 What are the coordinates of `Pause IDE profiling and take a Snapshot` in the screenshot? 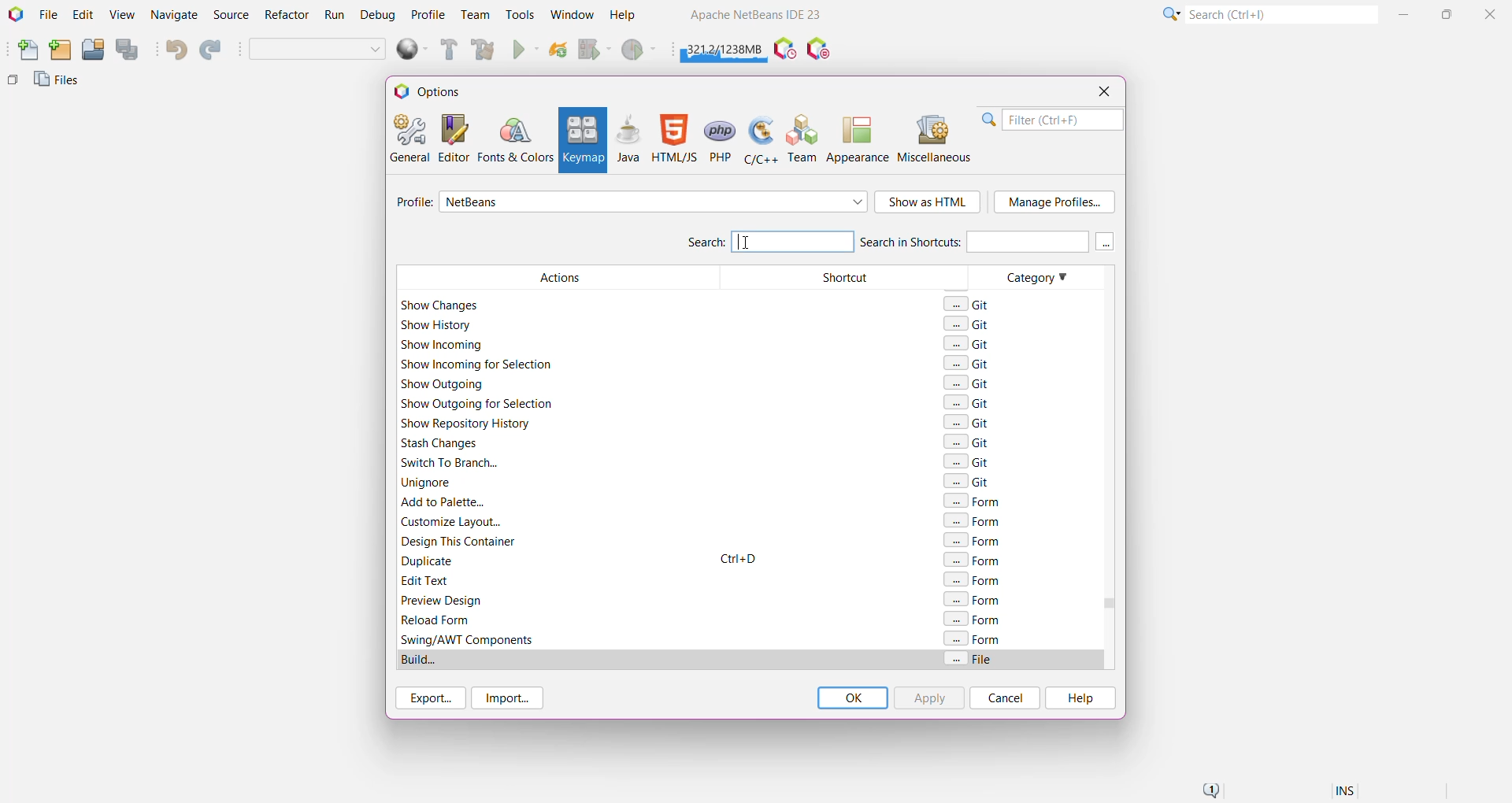 It's located at (785, 50).